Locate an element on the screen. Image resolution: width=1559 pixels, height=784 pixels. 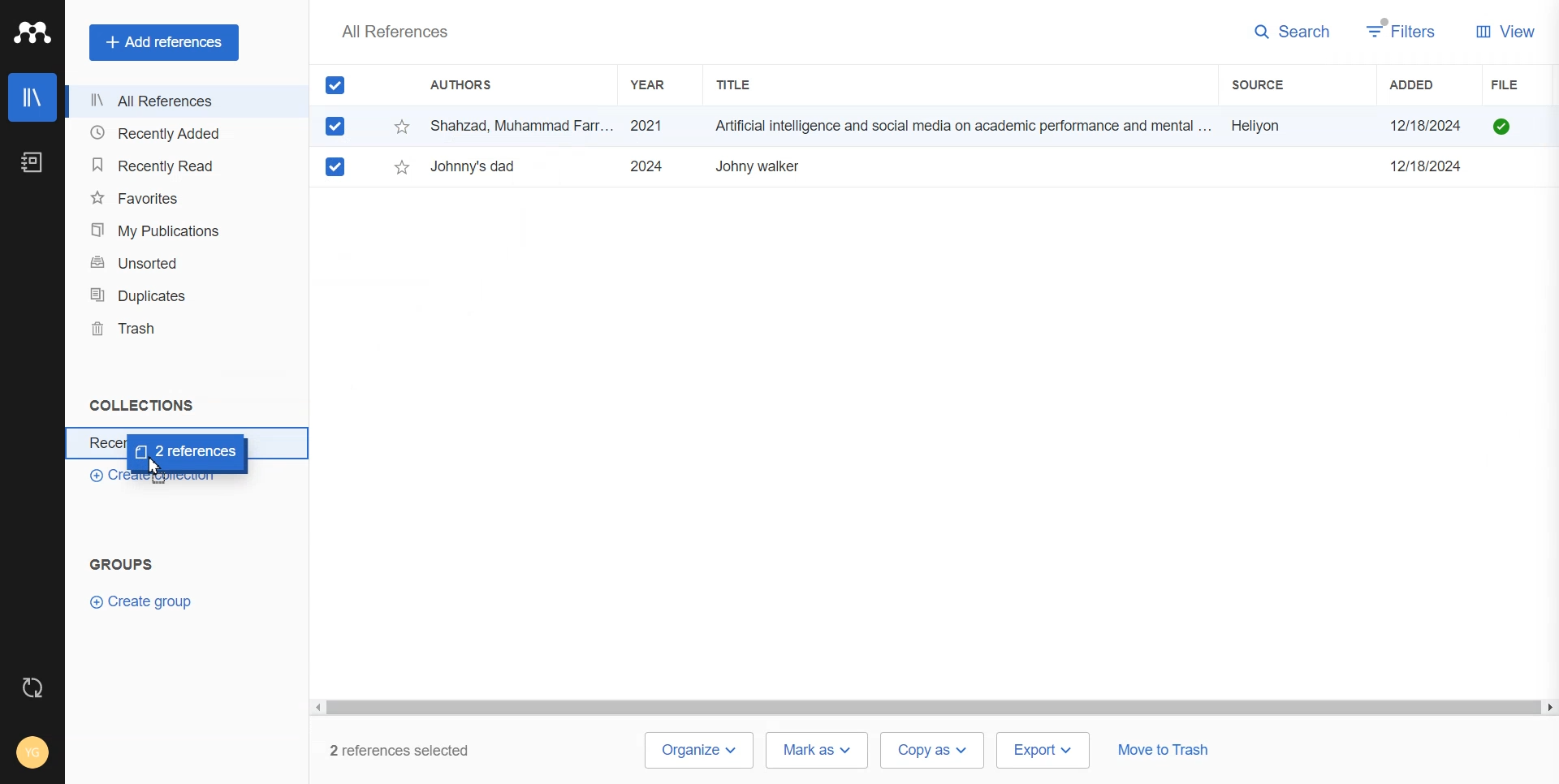
Move to trash is located at coordinates (1163, 752).